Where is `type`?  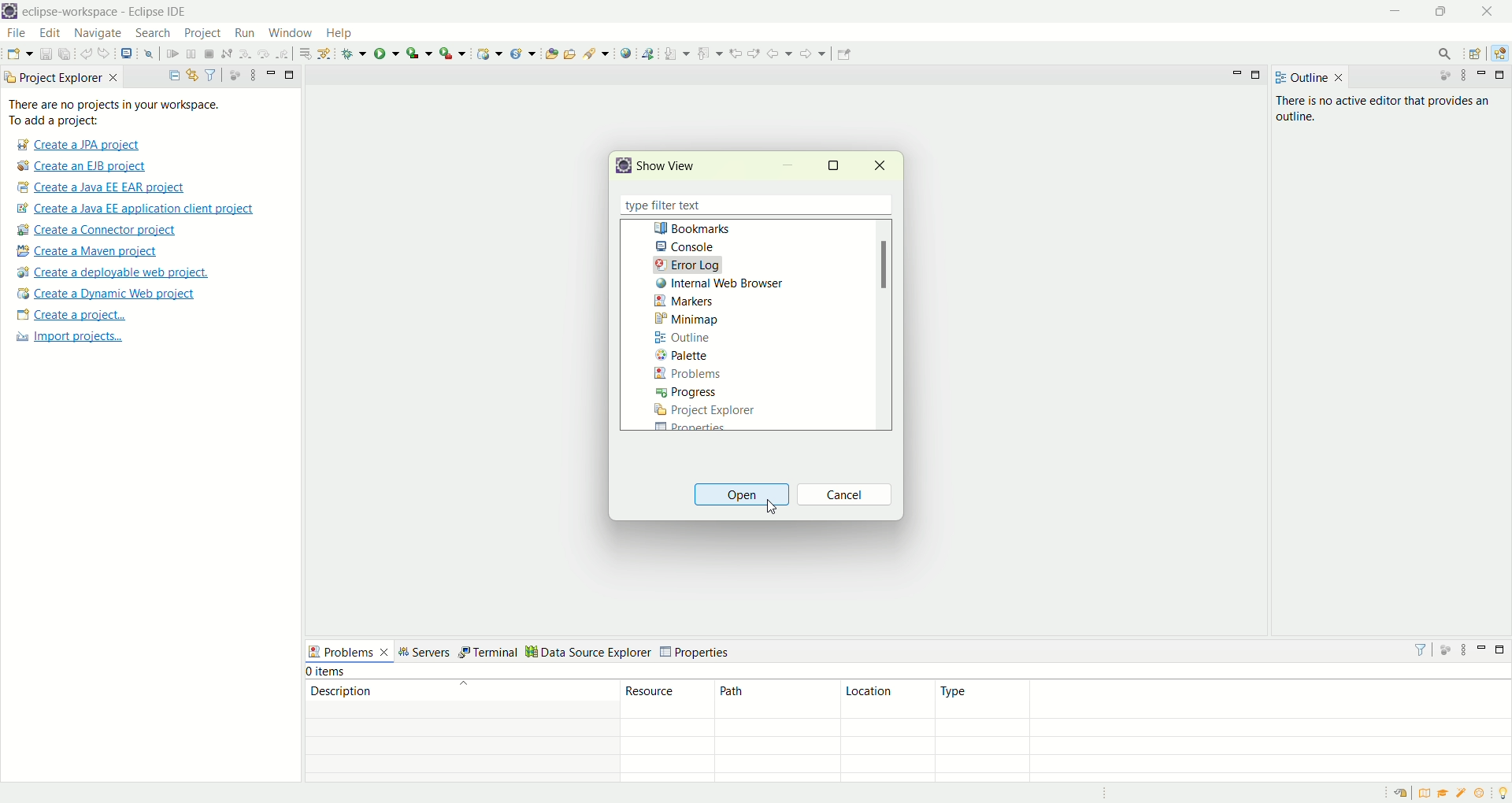 type is located at coordinates (982, 700).